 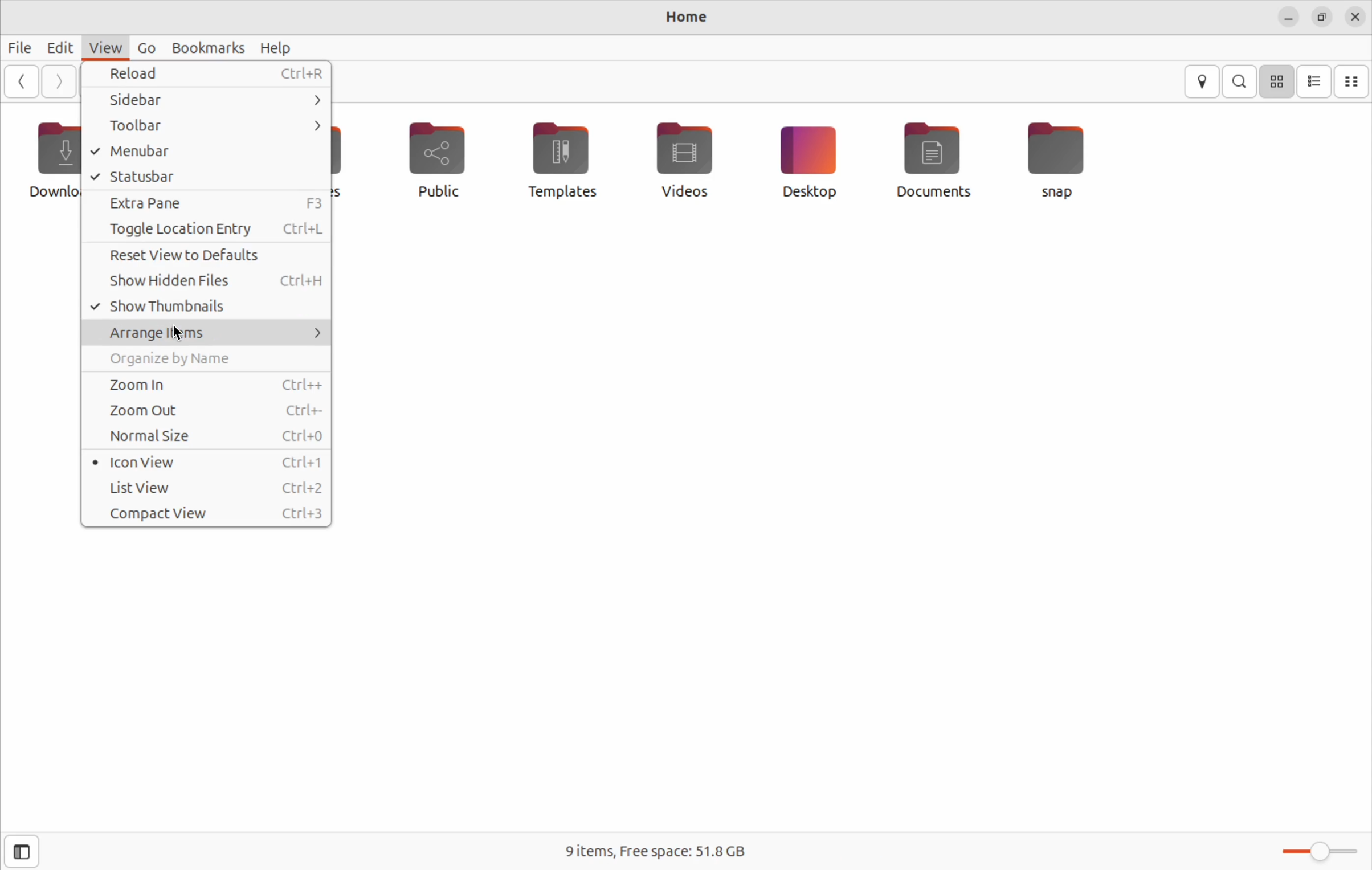 I want to click on Go next, so click(x=58, y=81).